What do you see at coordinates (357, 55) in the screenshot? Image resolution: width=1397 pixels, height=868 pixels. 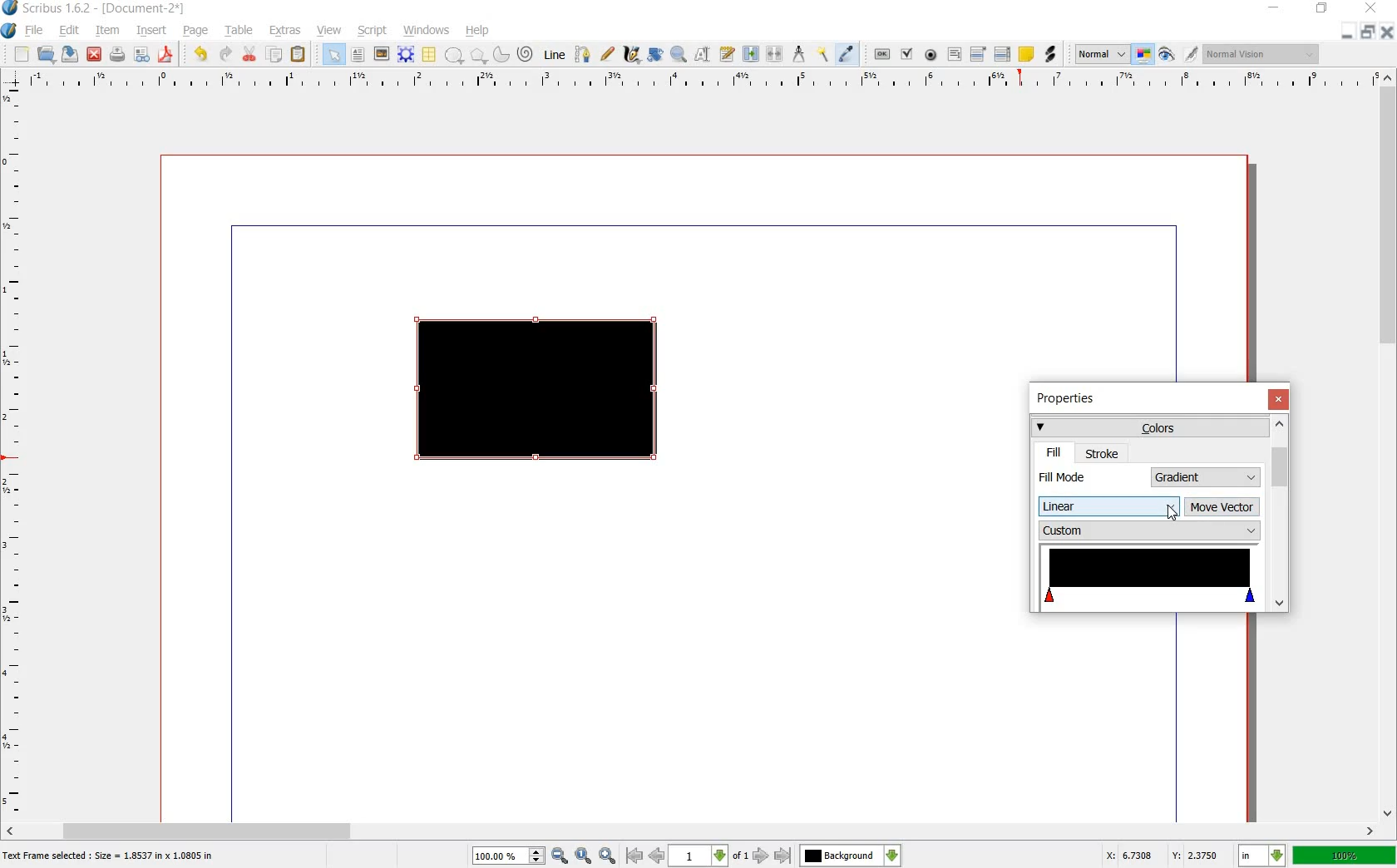 I see `text frame` at bounding box center [357, 55].